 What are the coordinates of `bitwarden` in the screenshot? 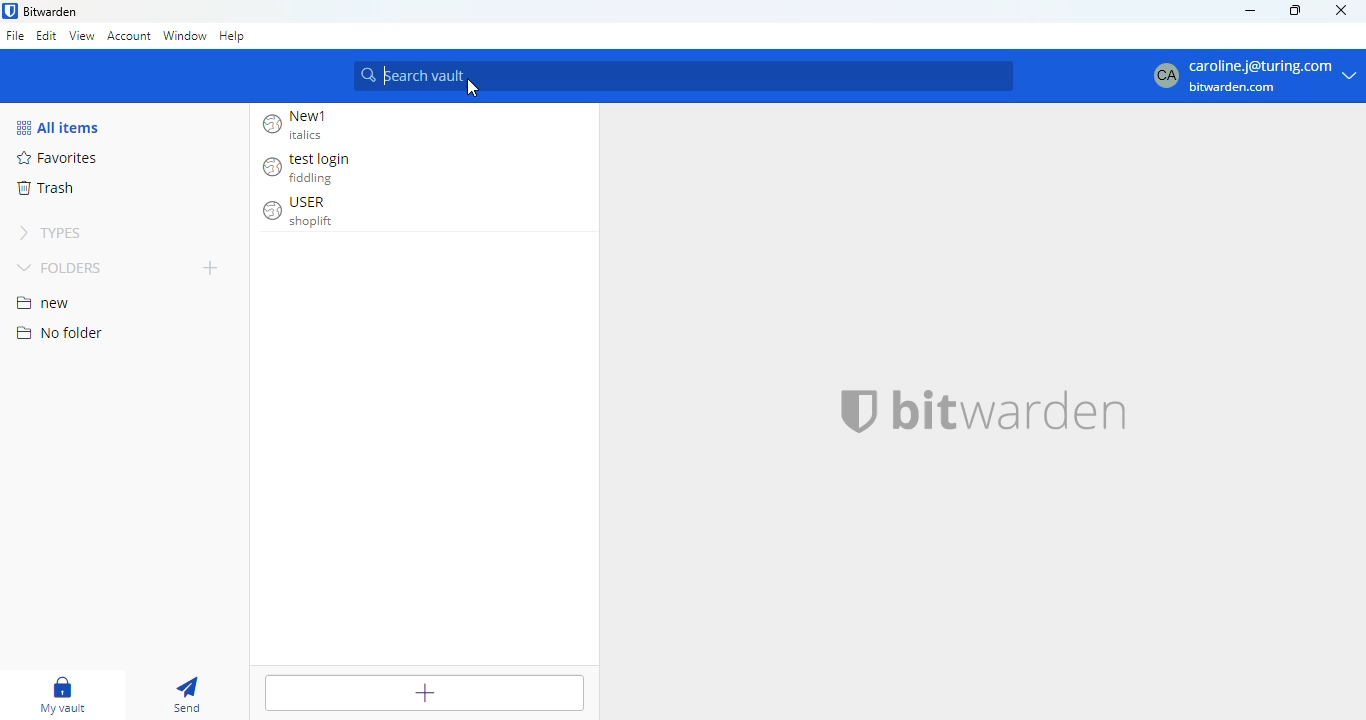 It's located at (1010, 409).